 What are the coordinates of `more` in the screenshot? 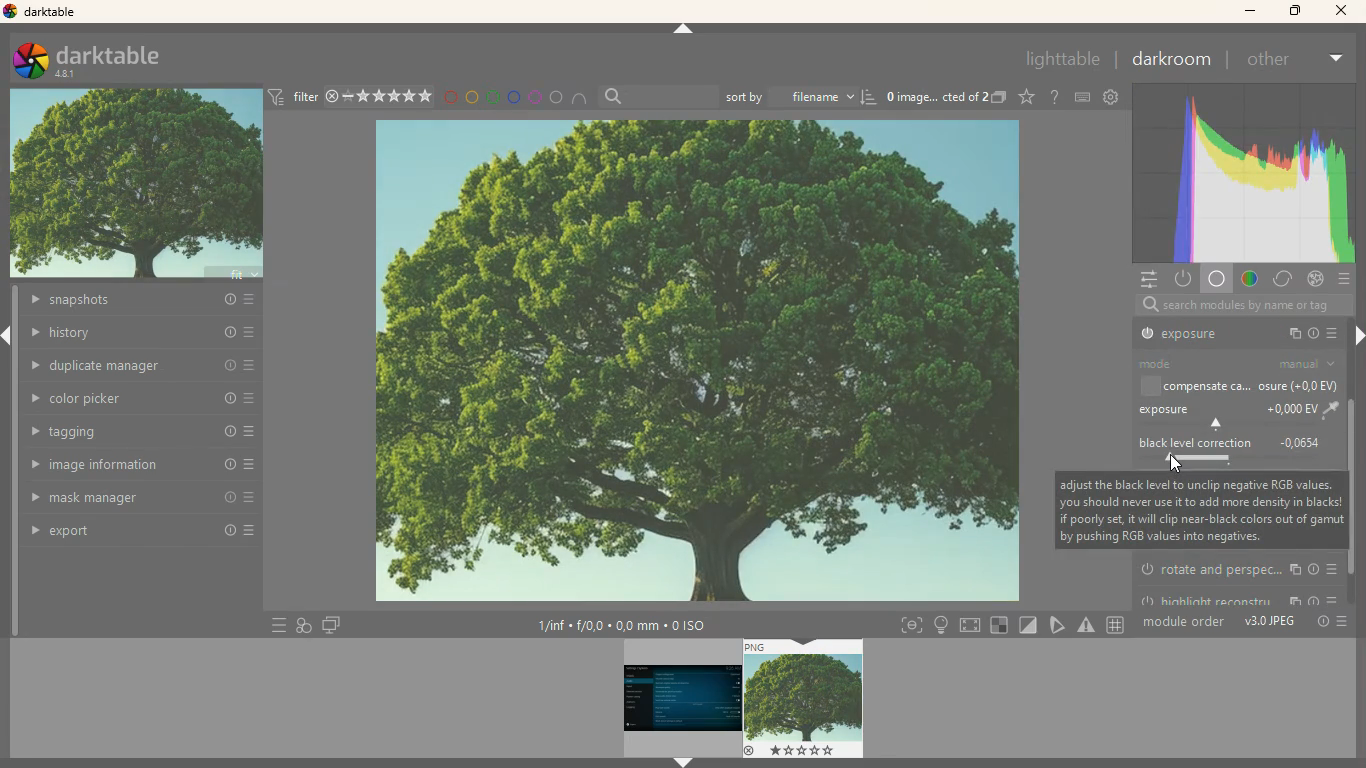 It's located at (1340, 59).